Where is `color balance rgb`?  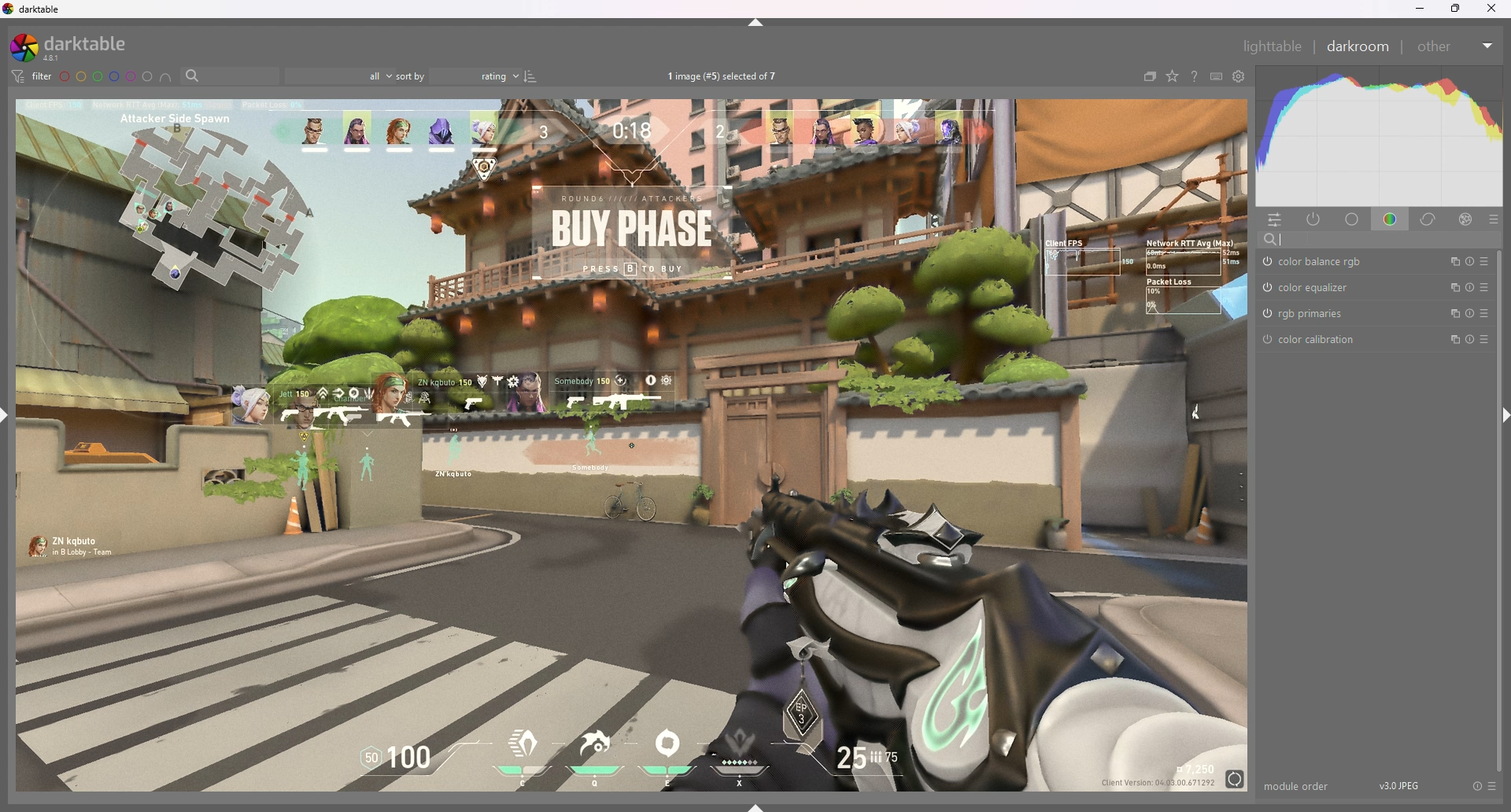 color balance rgb is located at coordinates (1318, 262).